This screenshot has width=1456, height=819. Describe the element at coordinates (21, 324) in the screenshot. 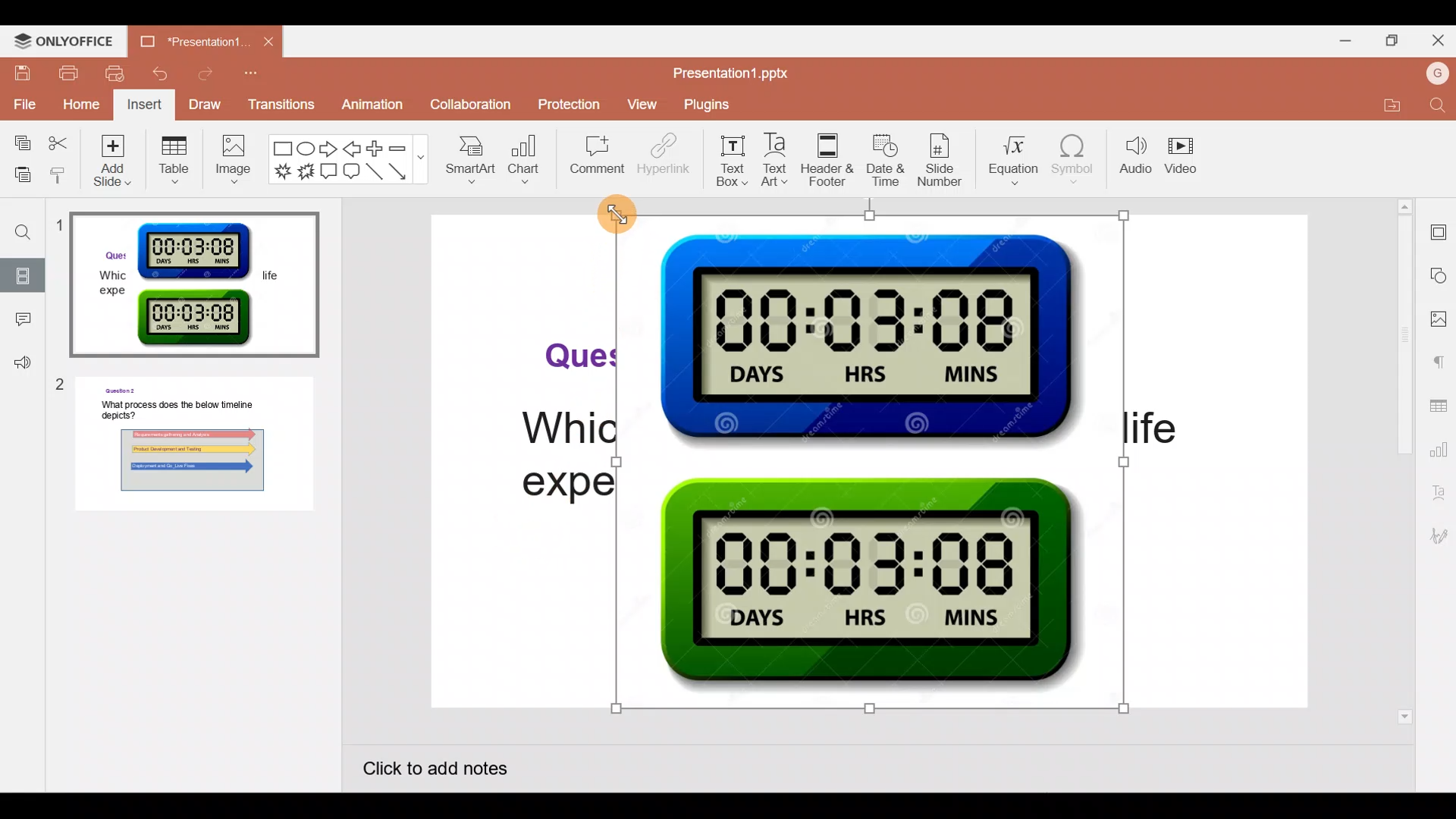

I see `Comment` at that location.